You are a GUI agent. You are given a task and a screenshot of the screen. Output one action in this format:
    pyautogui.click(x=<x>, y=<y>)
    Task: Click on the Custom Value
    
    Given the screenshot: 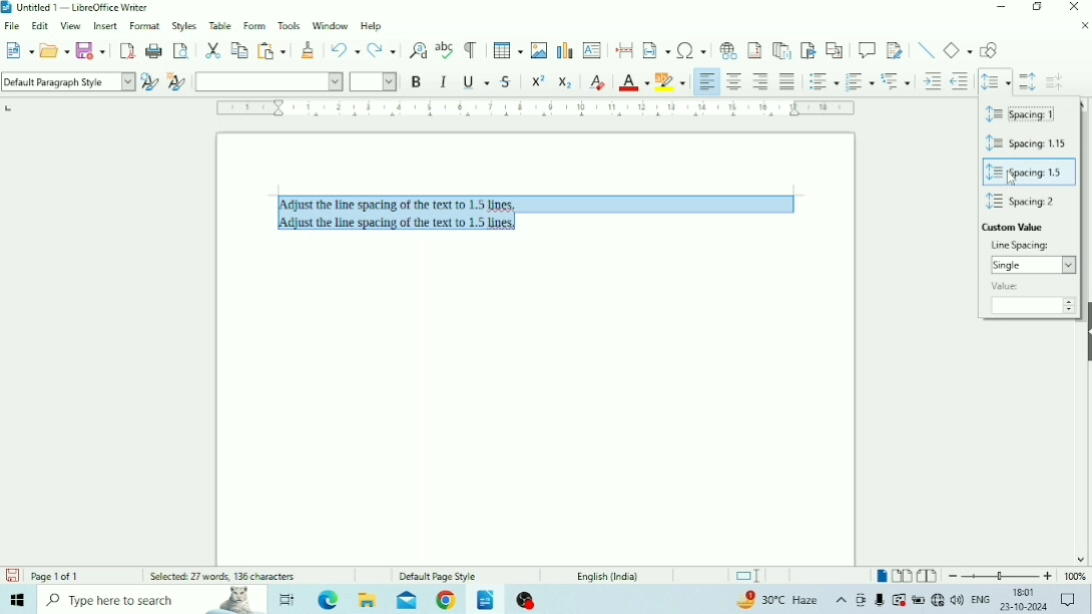 What is the action you would take?
    pyautogui.click(x=1013, y=227)
    